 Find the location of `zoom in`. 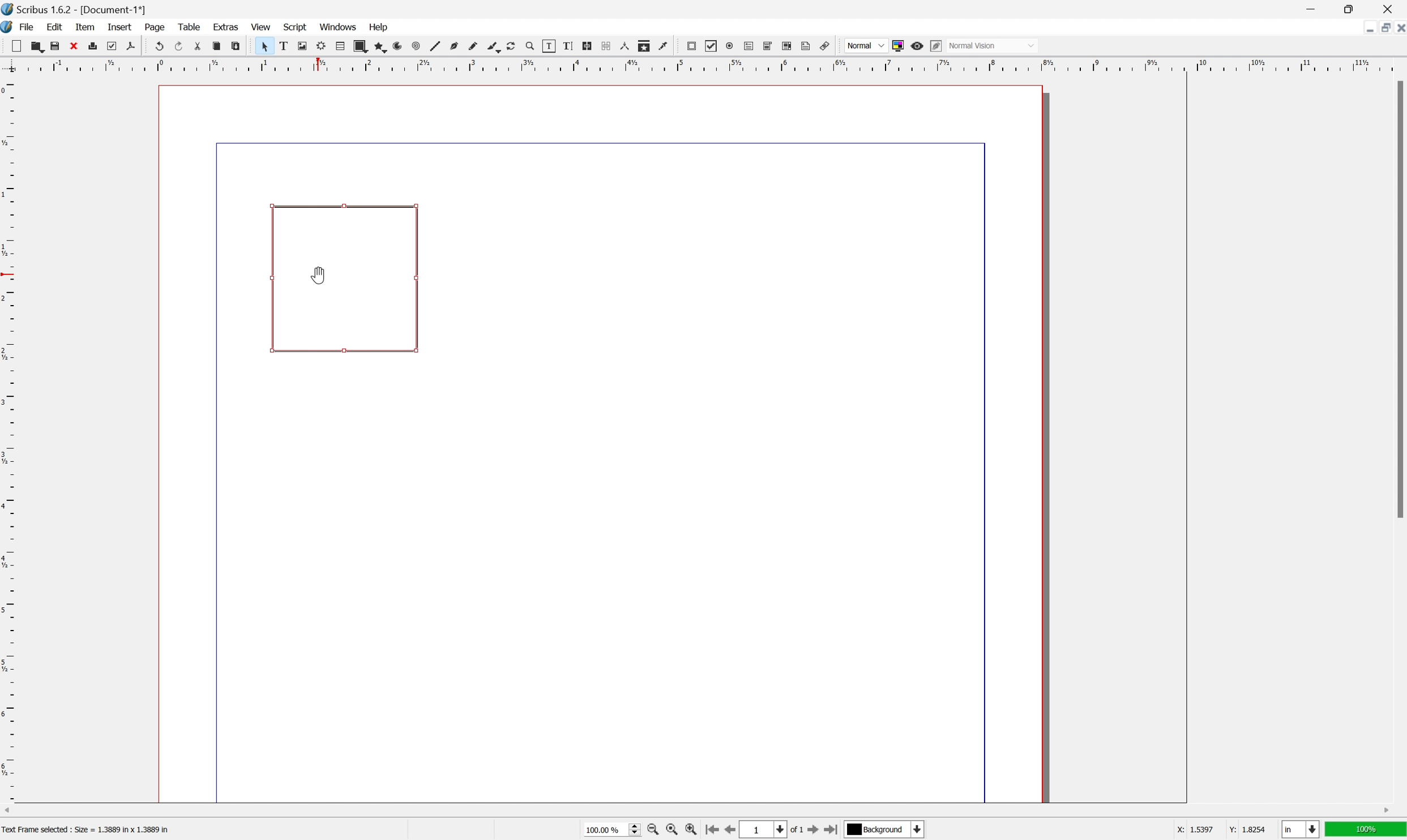

zoom in is located at coordinates (653, 831).